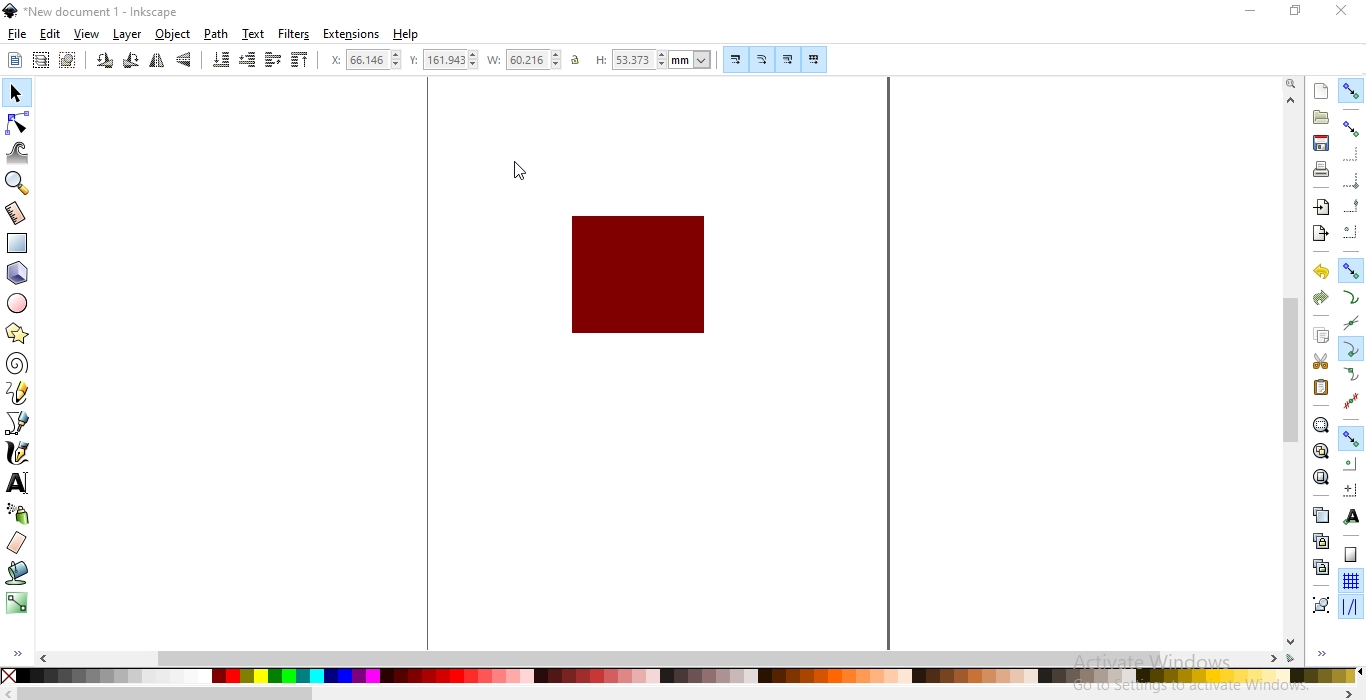 The width and height of the screenshot is (1366, 700). I want to click on select and transform objects, so click(16, 93).